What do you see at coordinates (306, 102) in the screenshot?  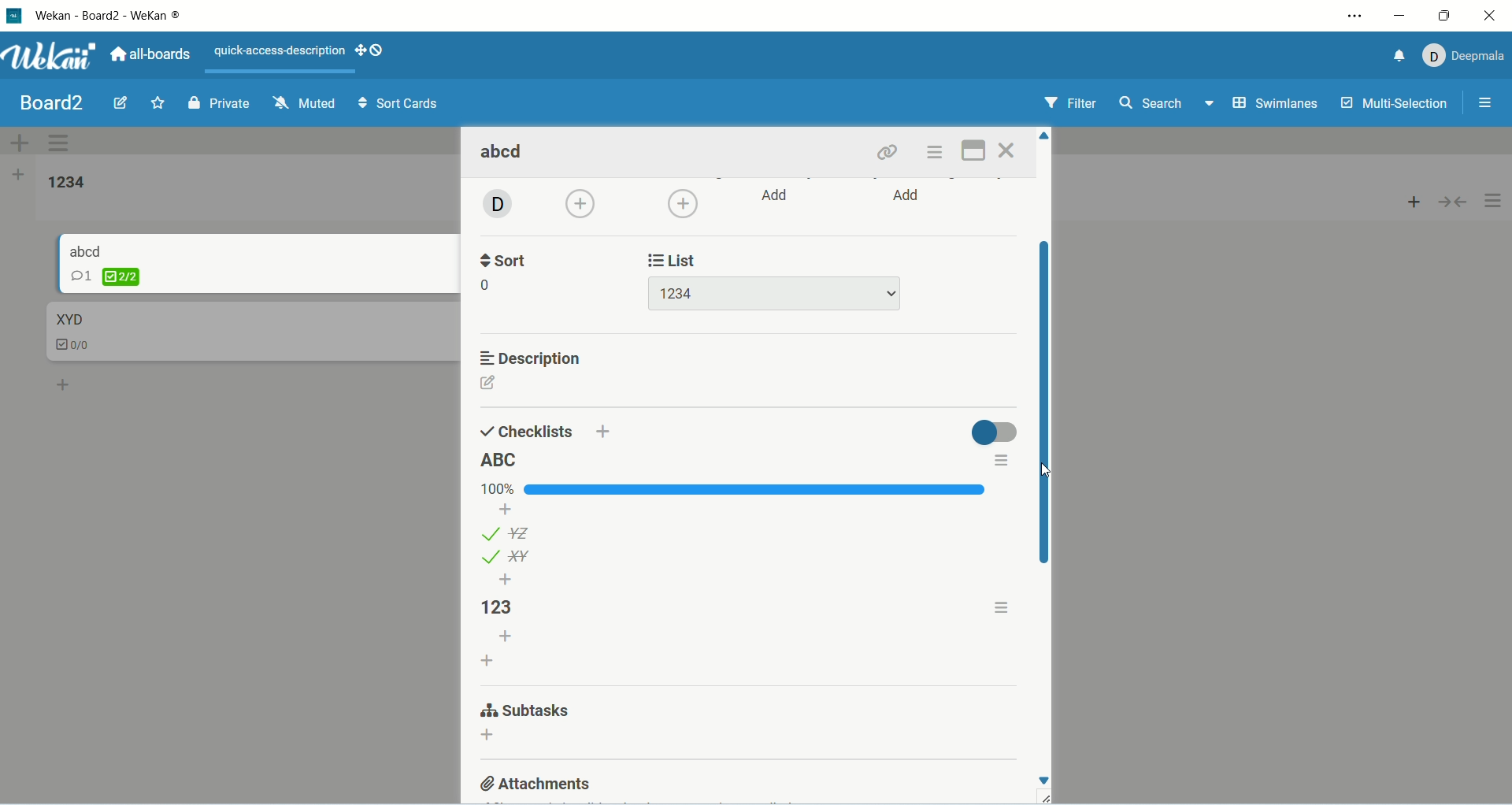 I see `muted` at bounding box center [306, 102].